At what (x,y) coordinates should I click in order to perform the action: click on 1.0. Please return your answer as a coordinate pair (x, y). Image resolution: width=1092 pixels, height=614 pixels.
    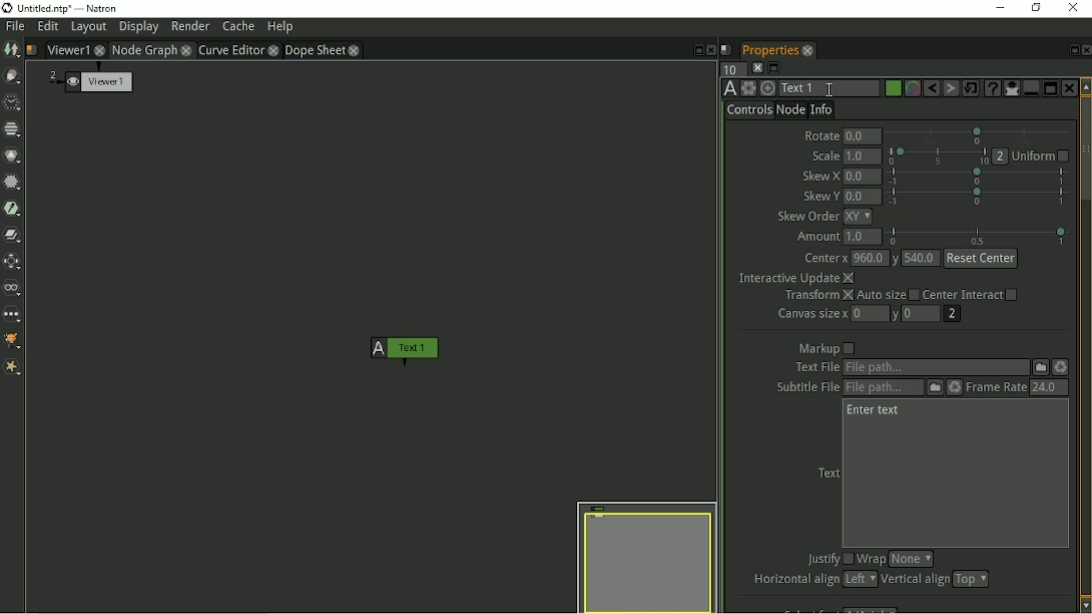
    Looking at the image, I should click on (863, 156).